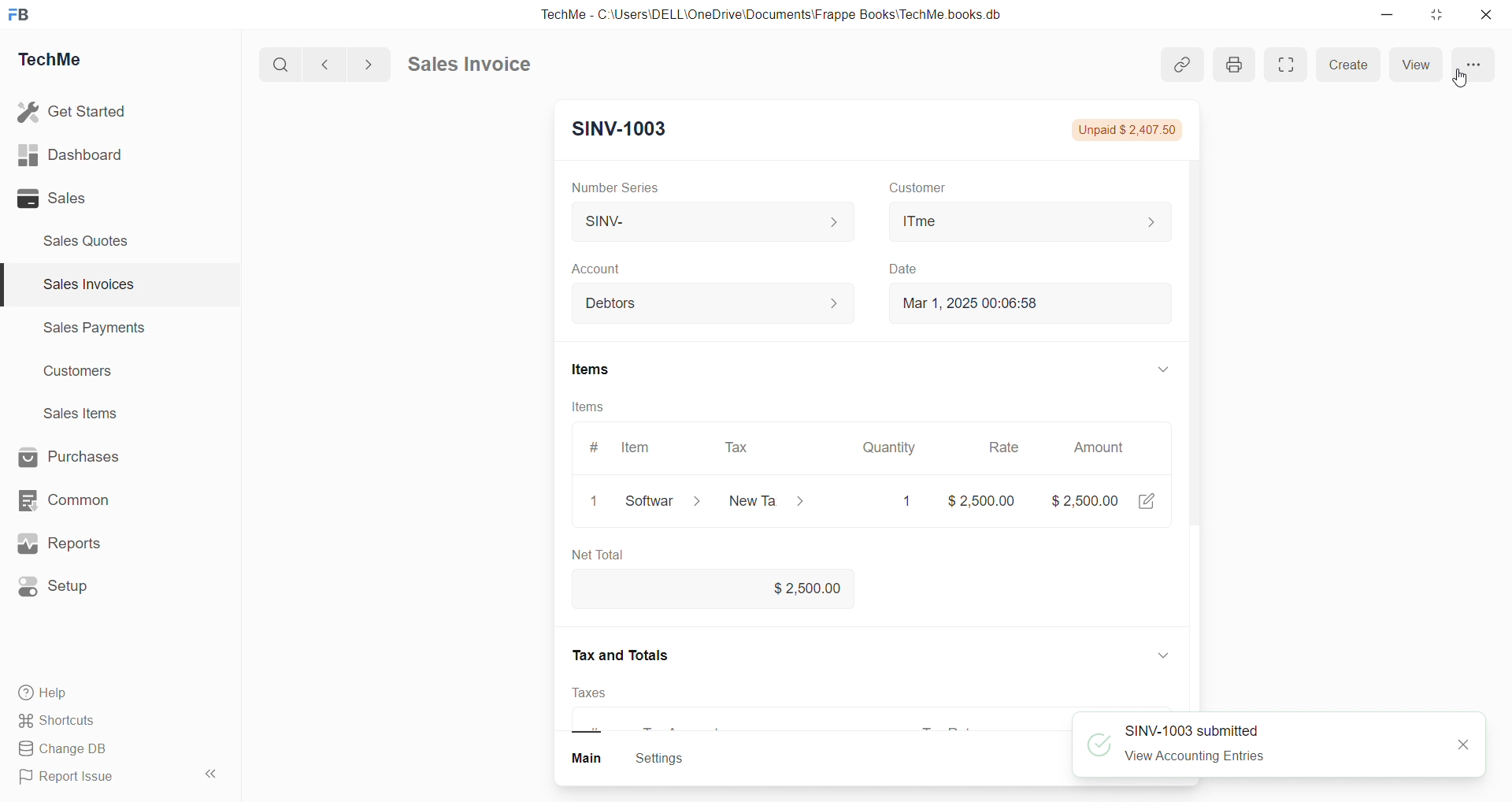  I want to click on 1, so click(908, 501).